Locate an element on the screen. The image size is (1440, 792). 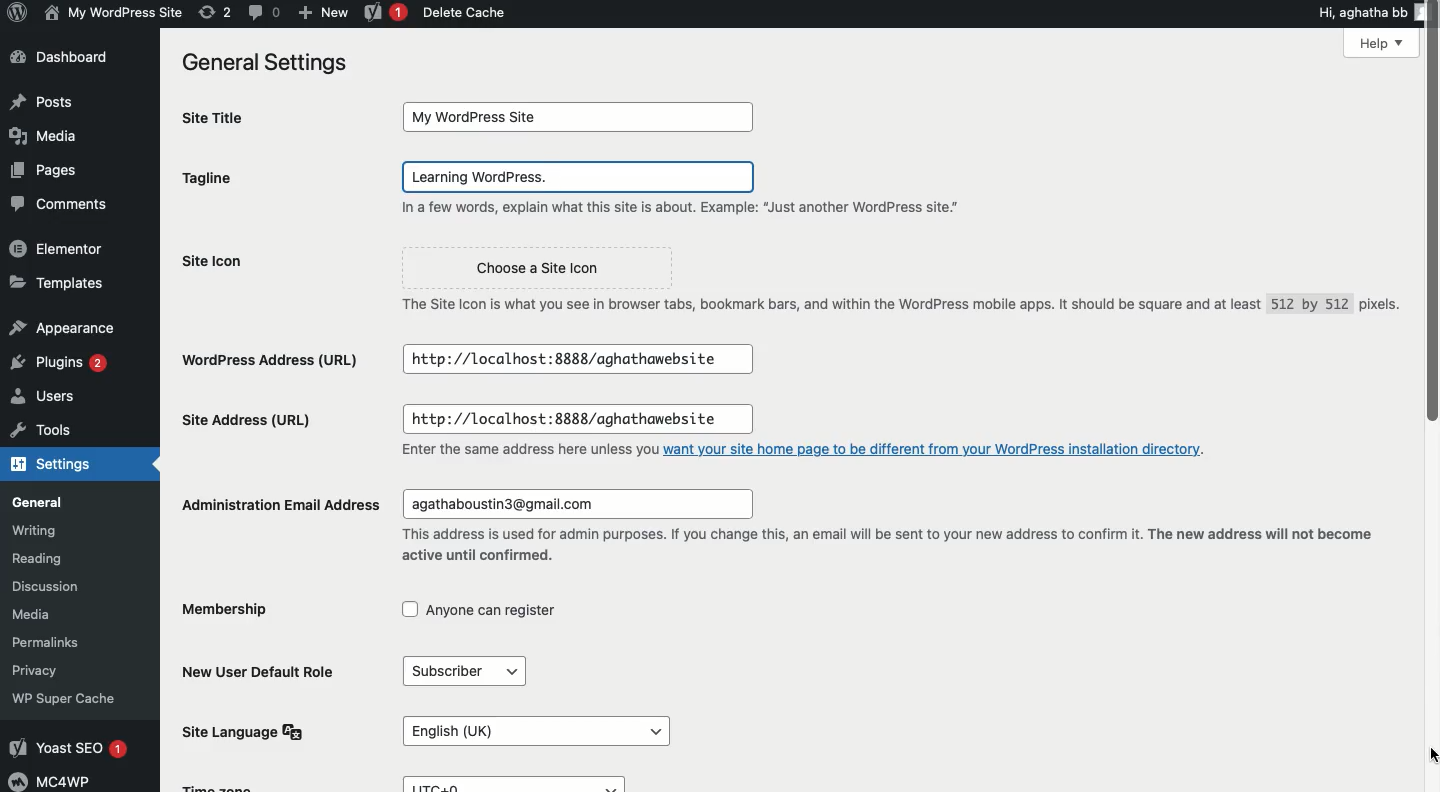
Yoast SEO 1 is located at coordinates (75, 746).